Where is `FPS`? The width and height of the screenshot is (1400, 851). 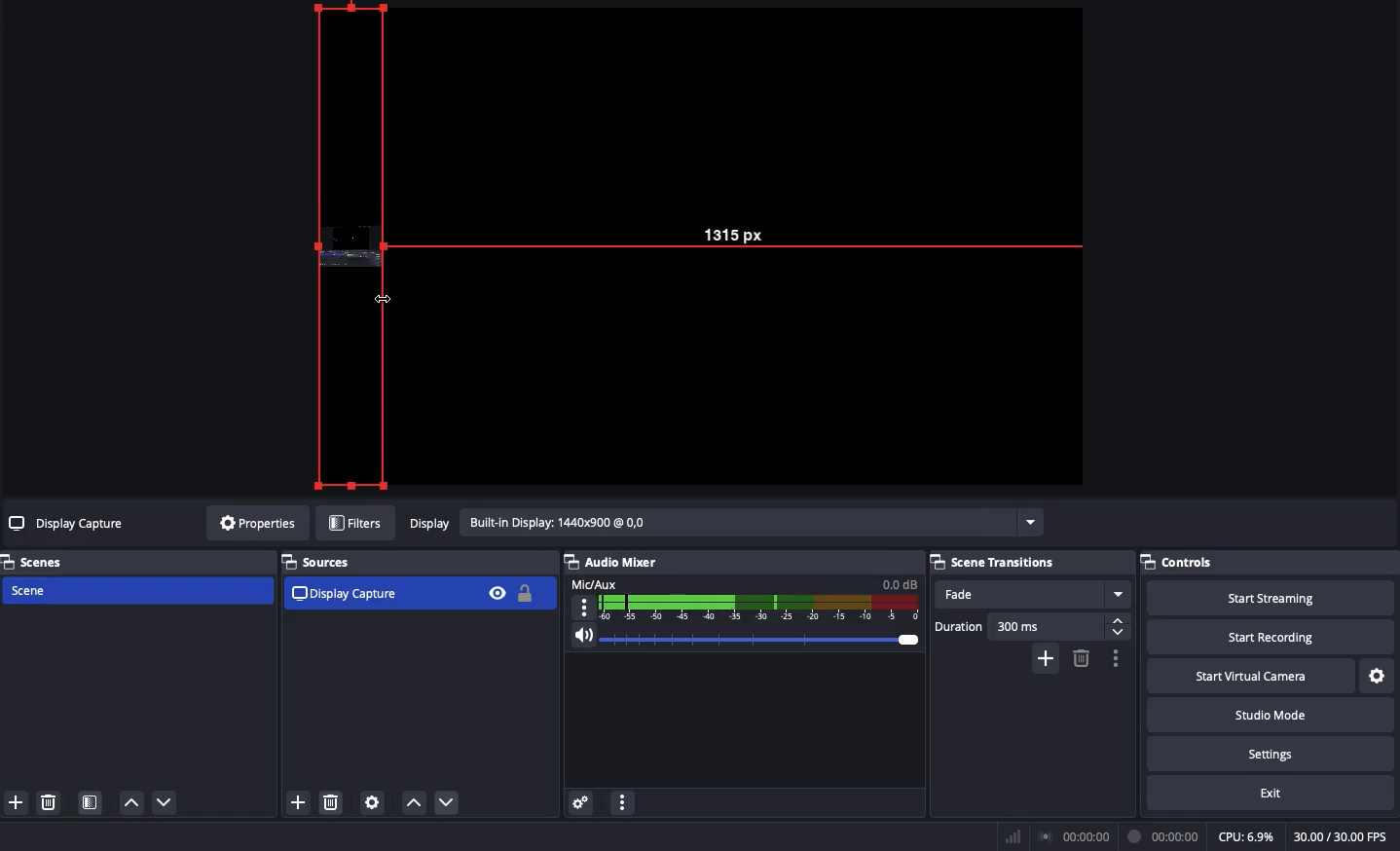
FPS is located at coordinates (1346, 836).